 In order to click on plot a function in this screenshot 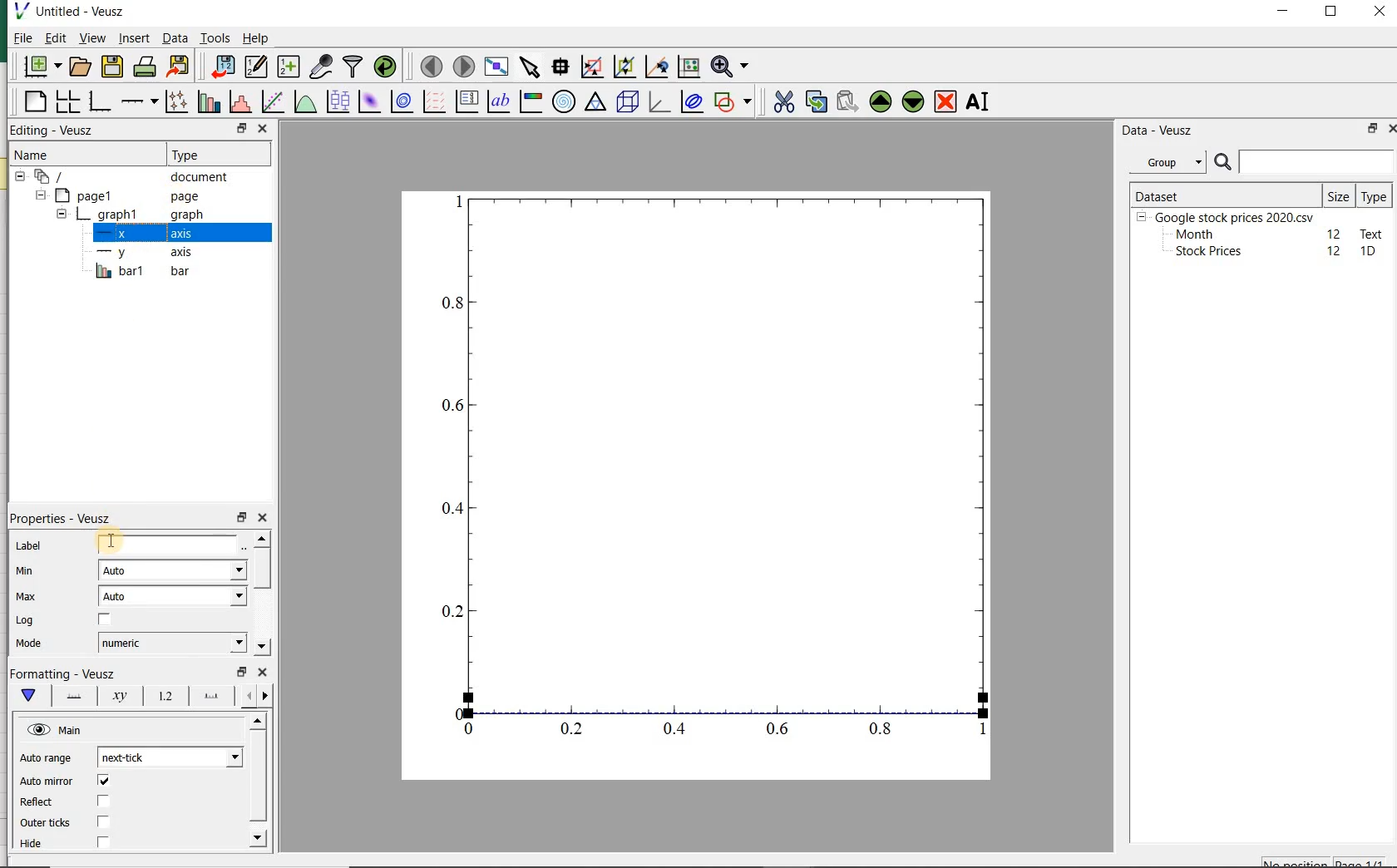, I will do `click(304, 103)`.